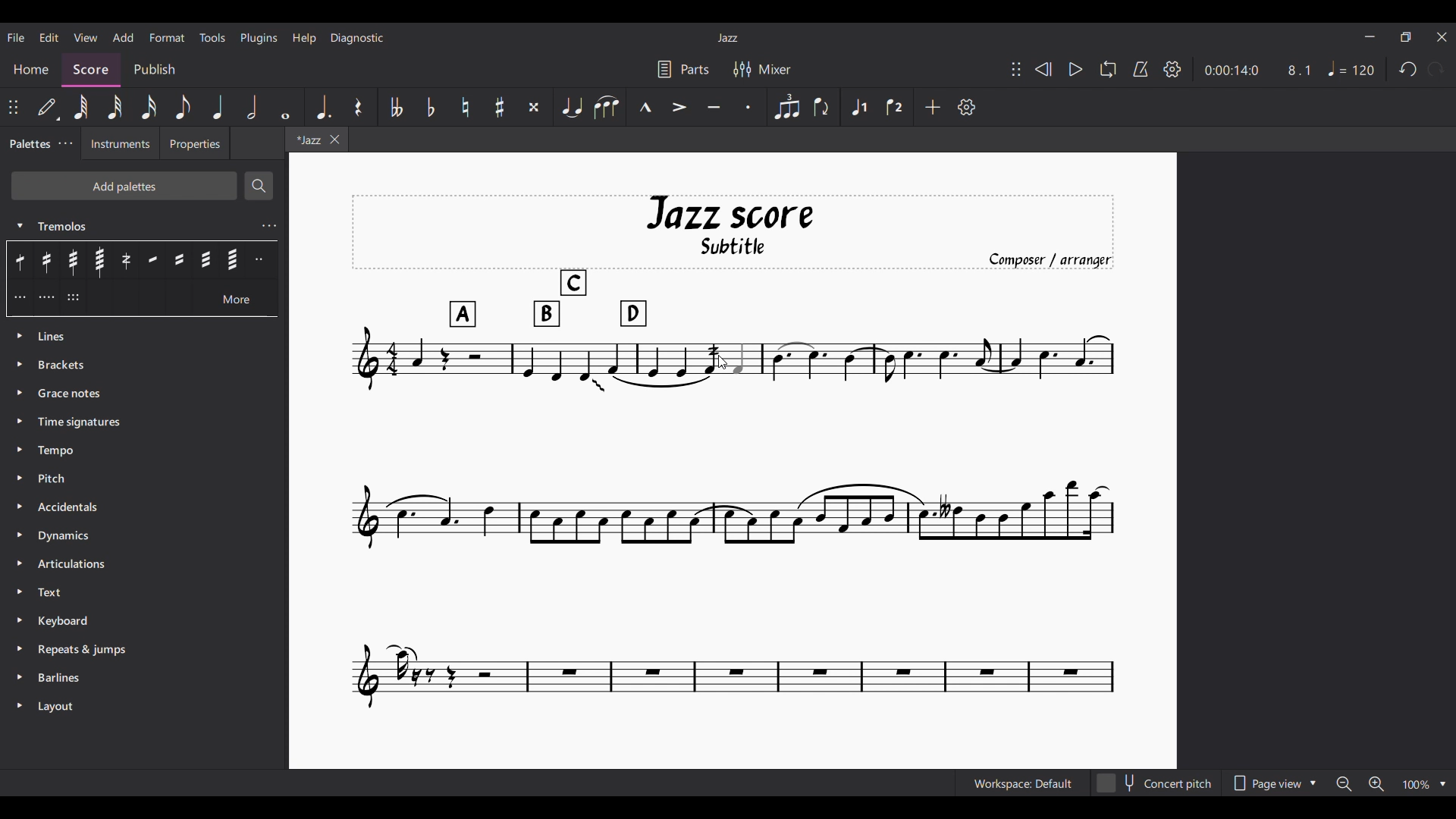  Describe the element at coordinates (86, 37) in the screenshot. I see `View` at that location.